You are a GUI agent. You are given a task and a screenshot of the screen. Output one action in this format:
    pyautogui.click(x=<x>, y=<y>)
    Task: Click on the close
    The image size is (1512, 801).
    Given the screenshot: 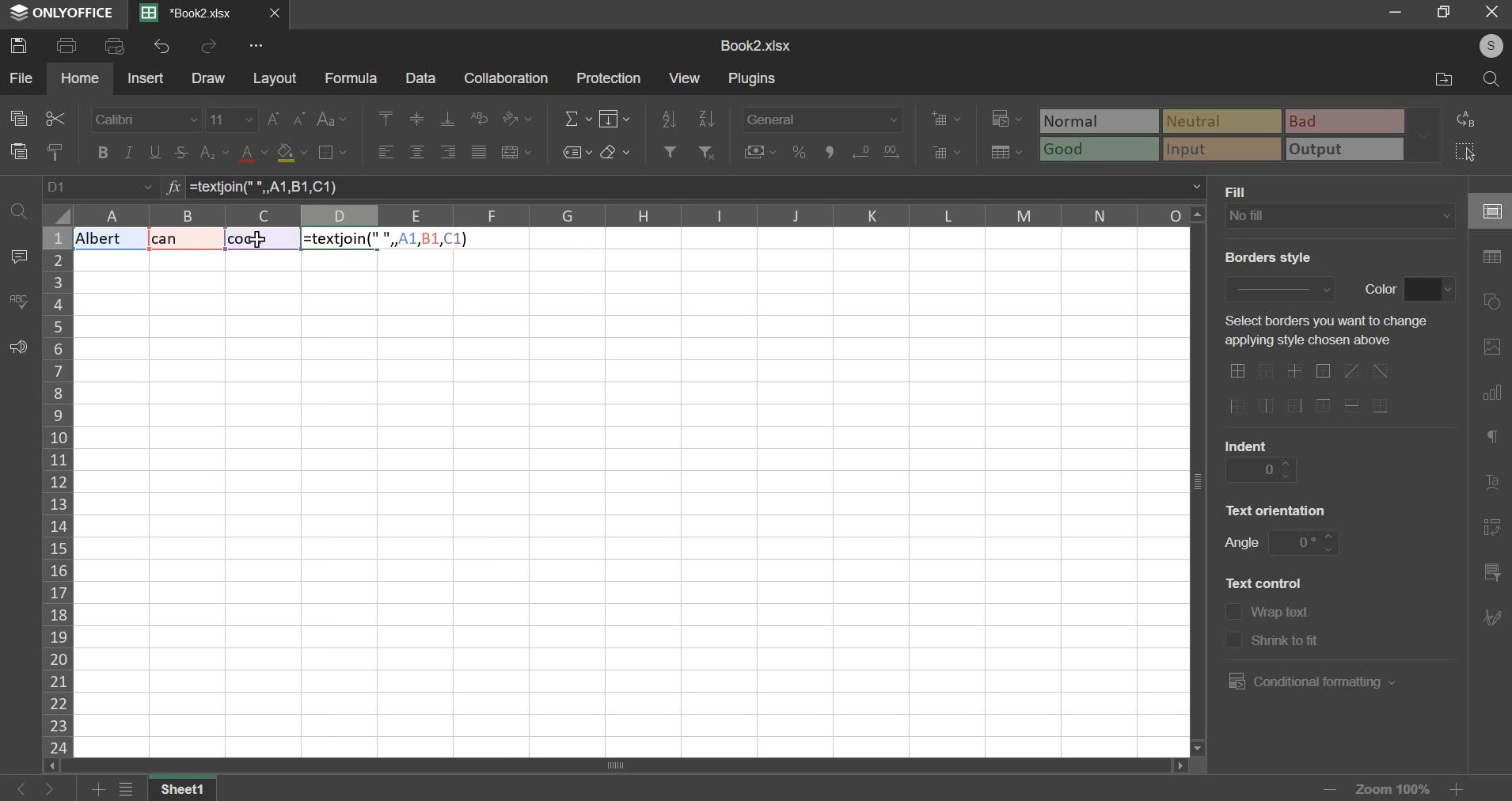 What is the action you would take?
    pyautogui.click(x=279, y=15)
    